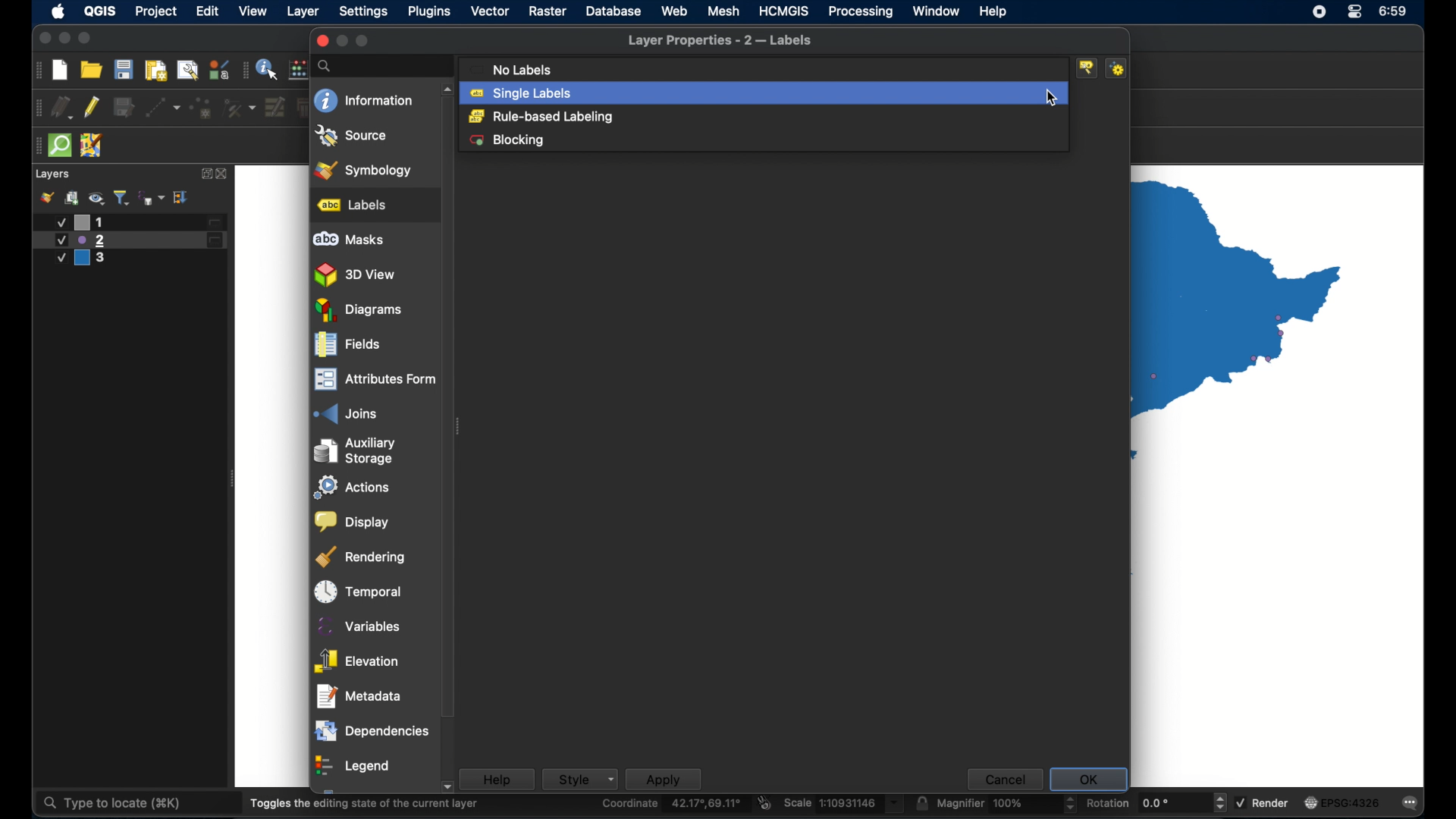  What do you see at coordinates (765, 802) in the screenshot?
I see `toggle extents and mouse display position` at bounding box center [765, 802].